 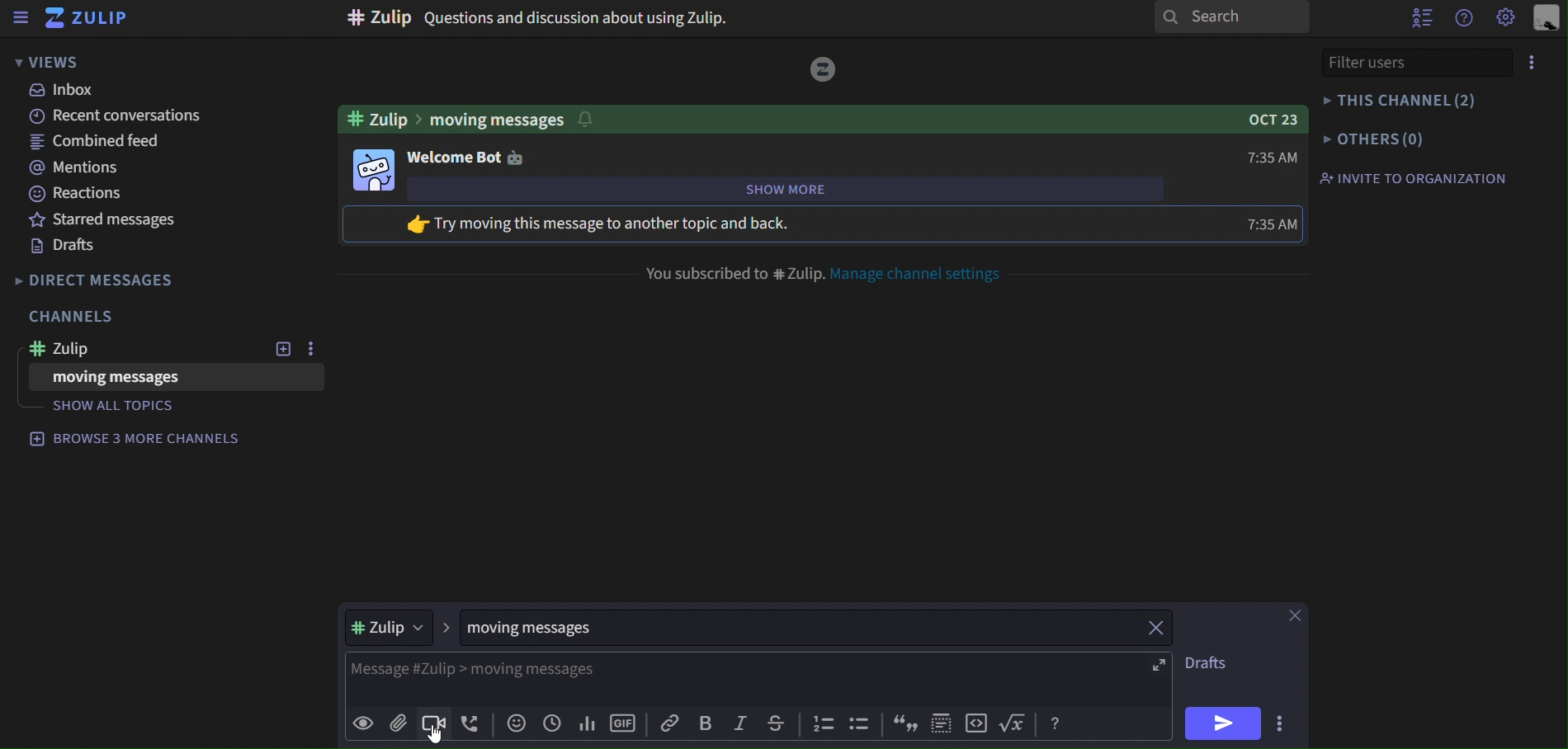 I want to click on options, so click(x=1531, y=64).